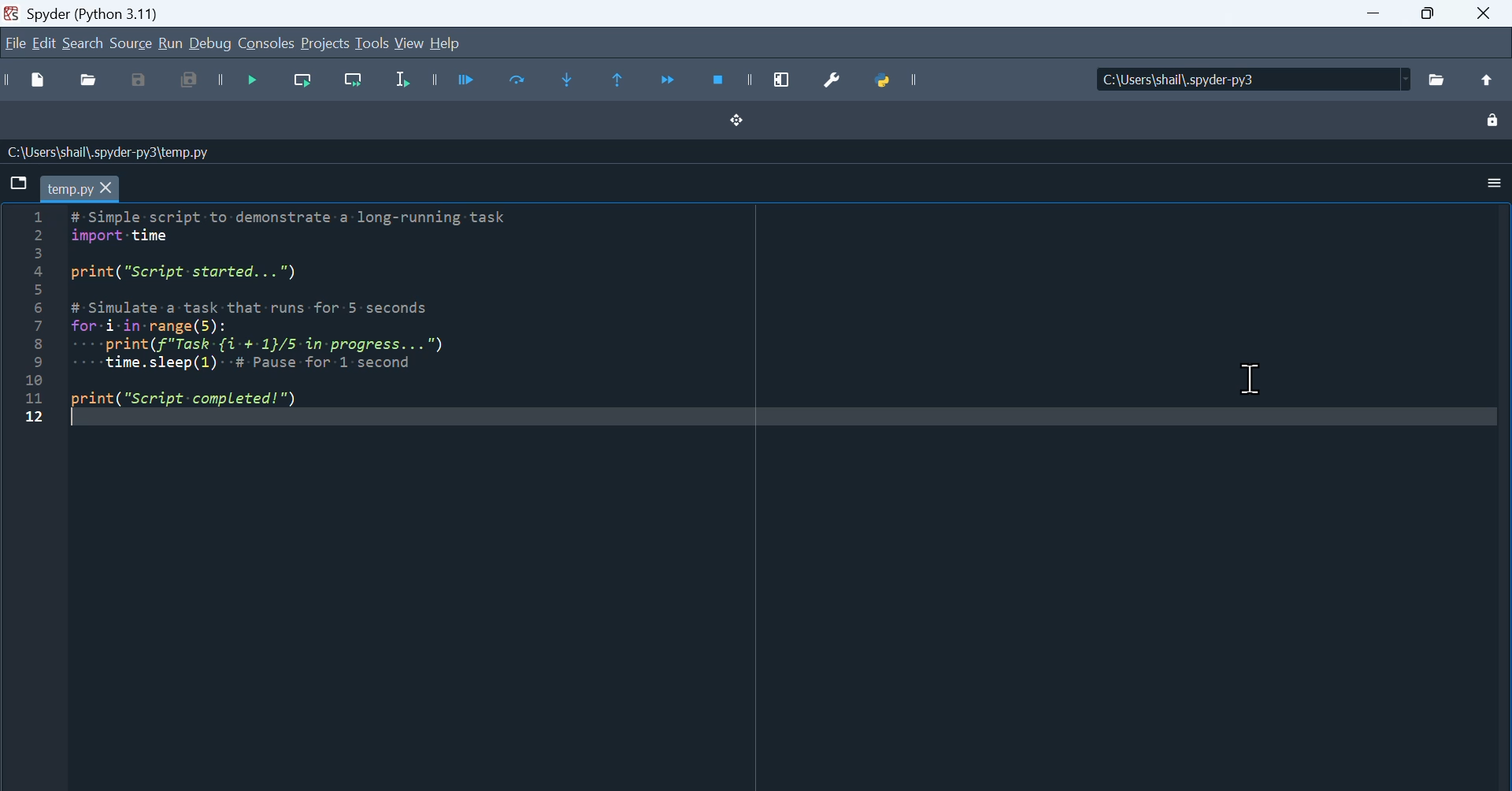  What do you see at coordinates (720, 82) in the screenshot?
I see `Stop debugging` at bounding box center [720, 82].